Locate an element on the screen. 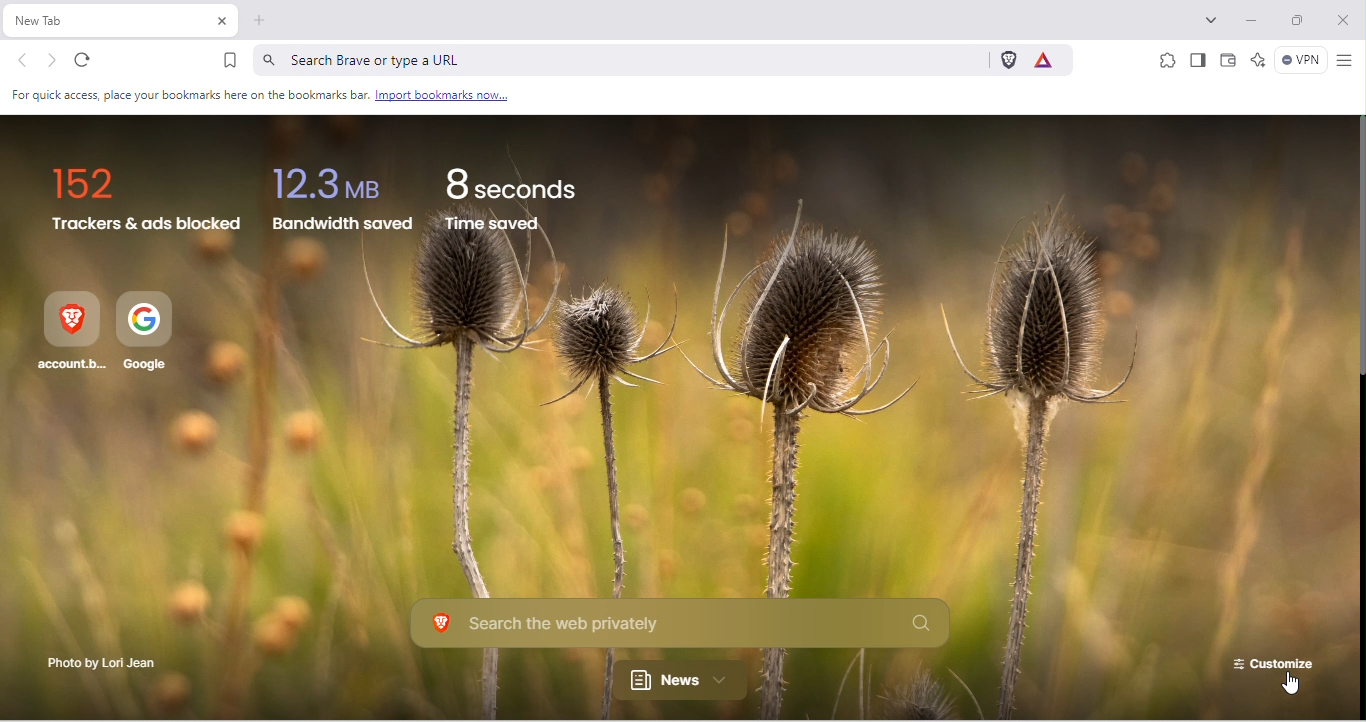 The image size is (1366, 722). Google is located at coordinates (149, 334).